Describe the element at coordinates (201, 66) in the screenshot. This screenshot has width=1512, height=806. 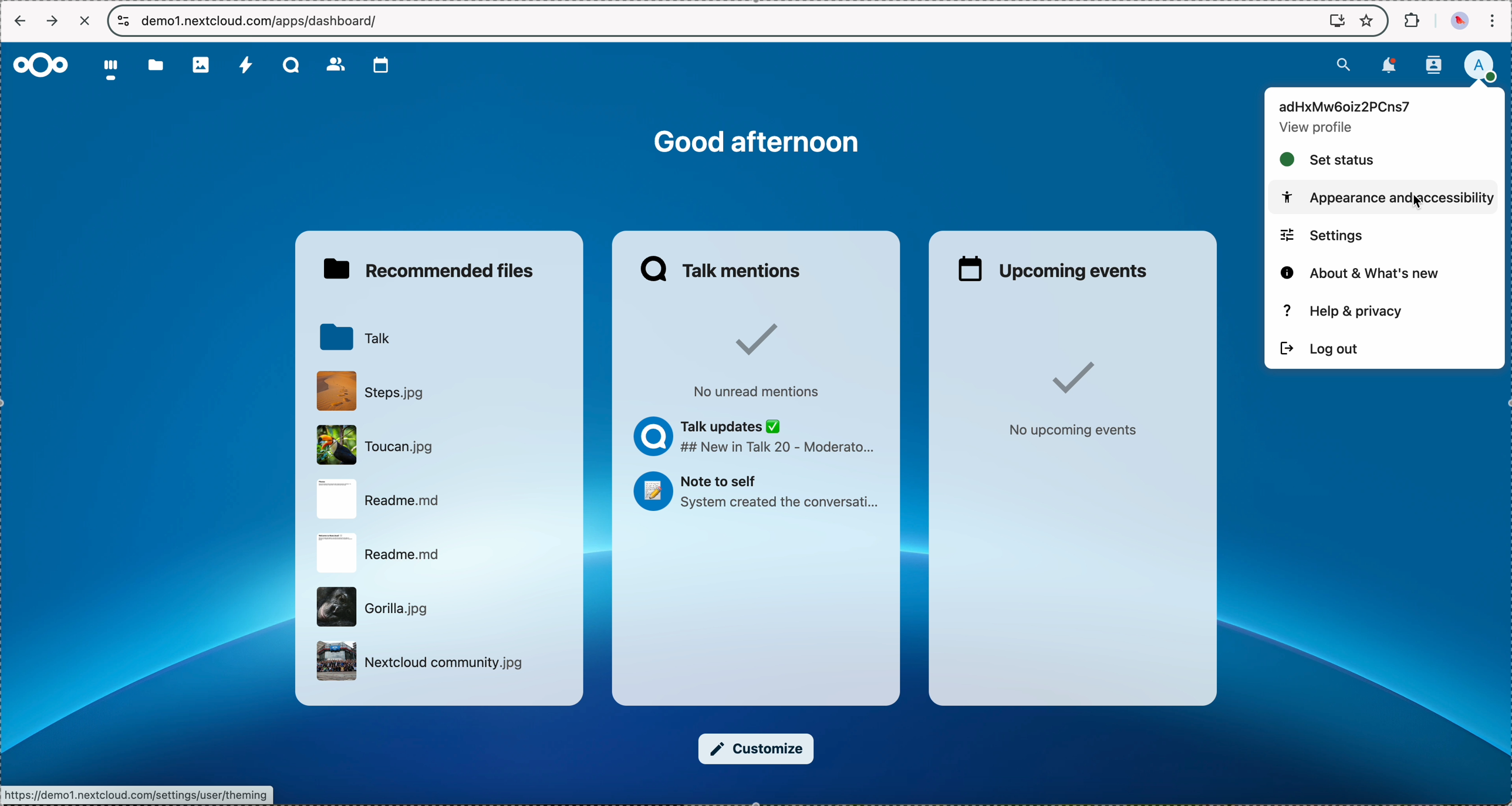
I see `photos` at that location.